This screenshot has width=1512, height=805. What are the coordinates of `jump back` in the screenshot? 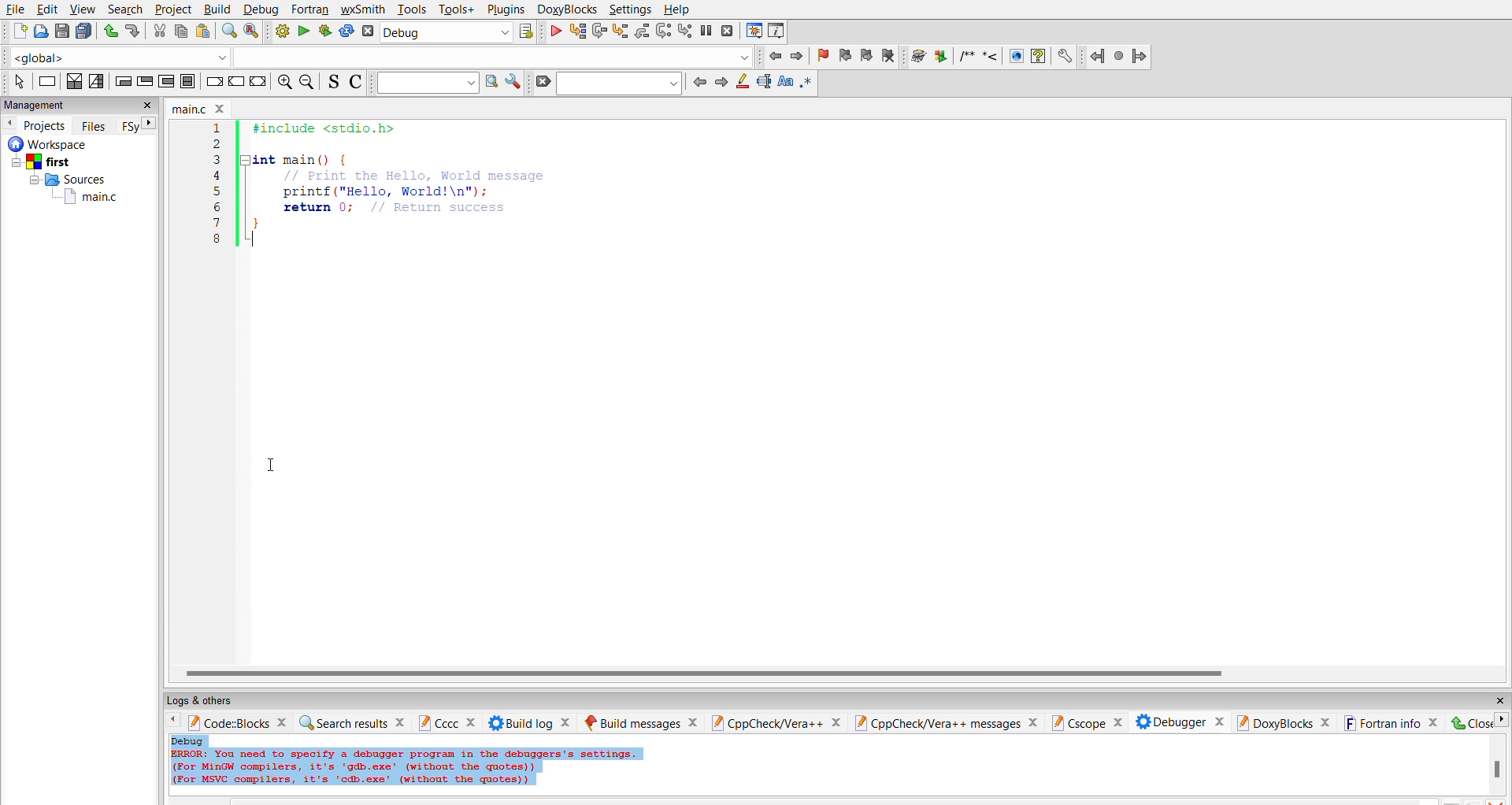 It's located at (777, 57).